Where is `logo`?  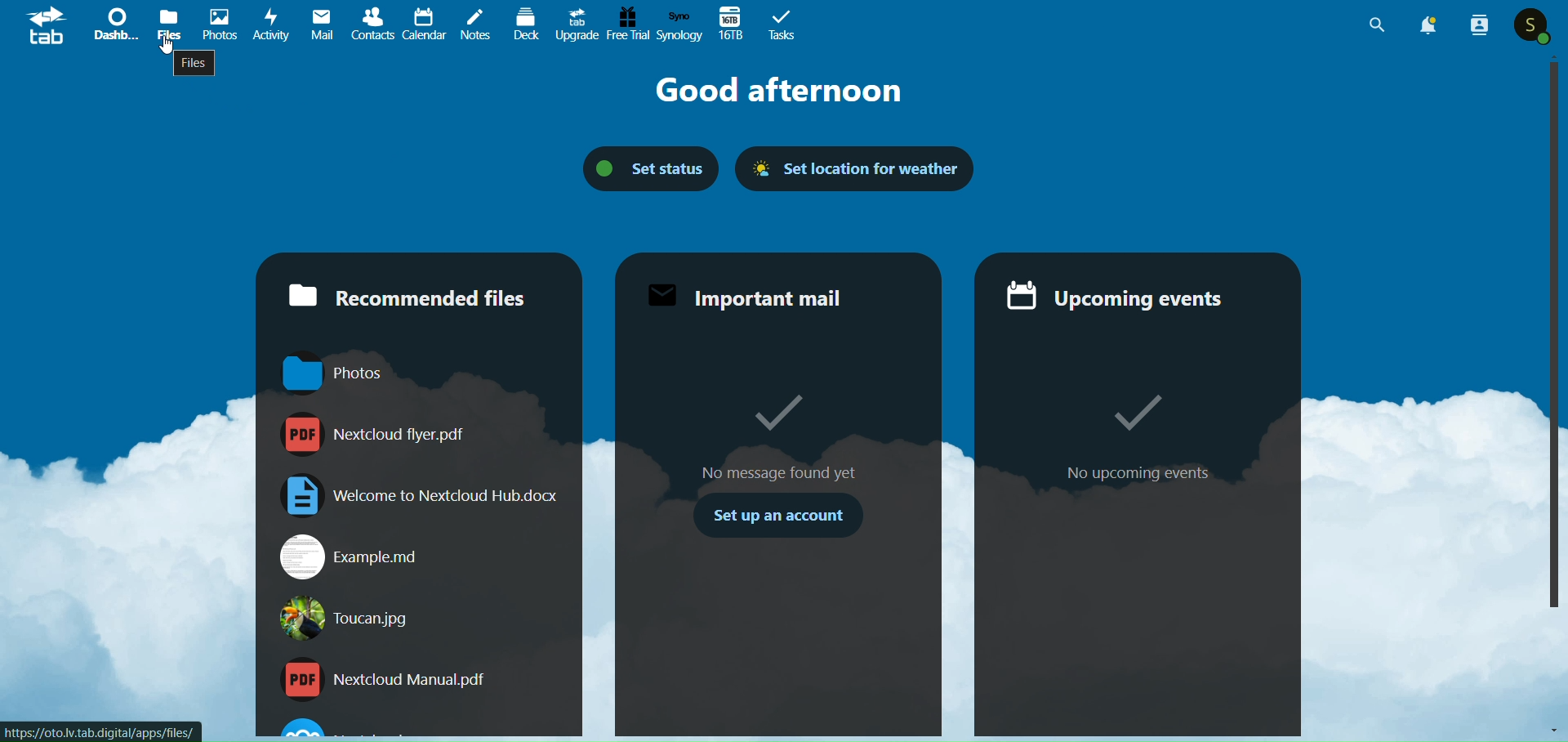
logo is located at coordinates (47, 28).